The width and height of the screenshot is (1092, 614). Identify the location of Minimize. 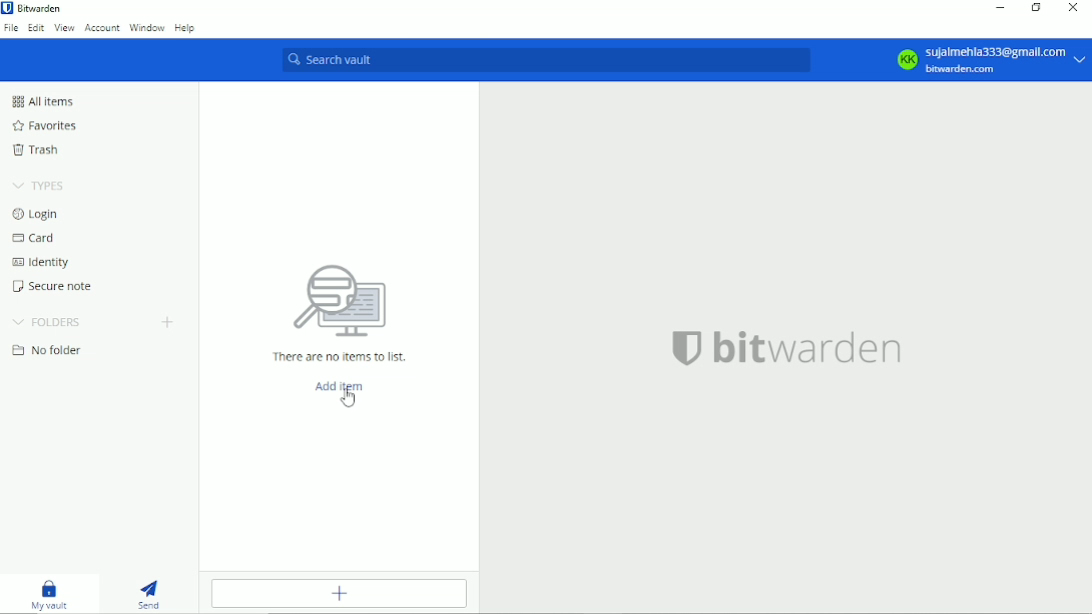
(998, 8).